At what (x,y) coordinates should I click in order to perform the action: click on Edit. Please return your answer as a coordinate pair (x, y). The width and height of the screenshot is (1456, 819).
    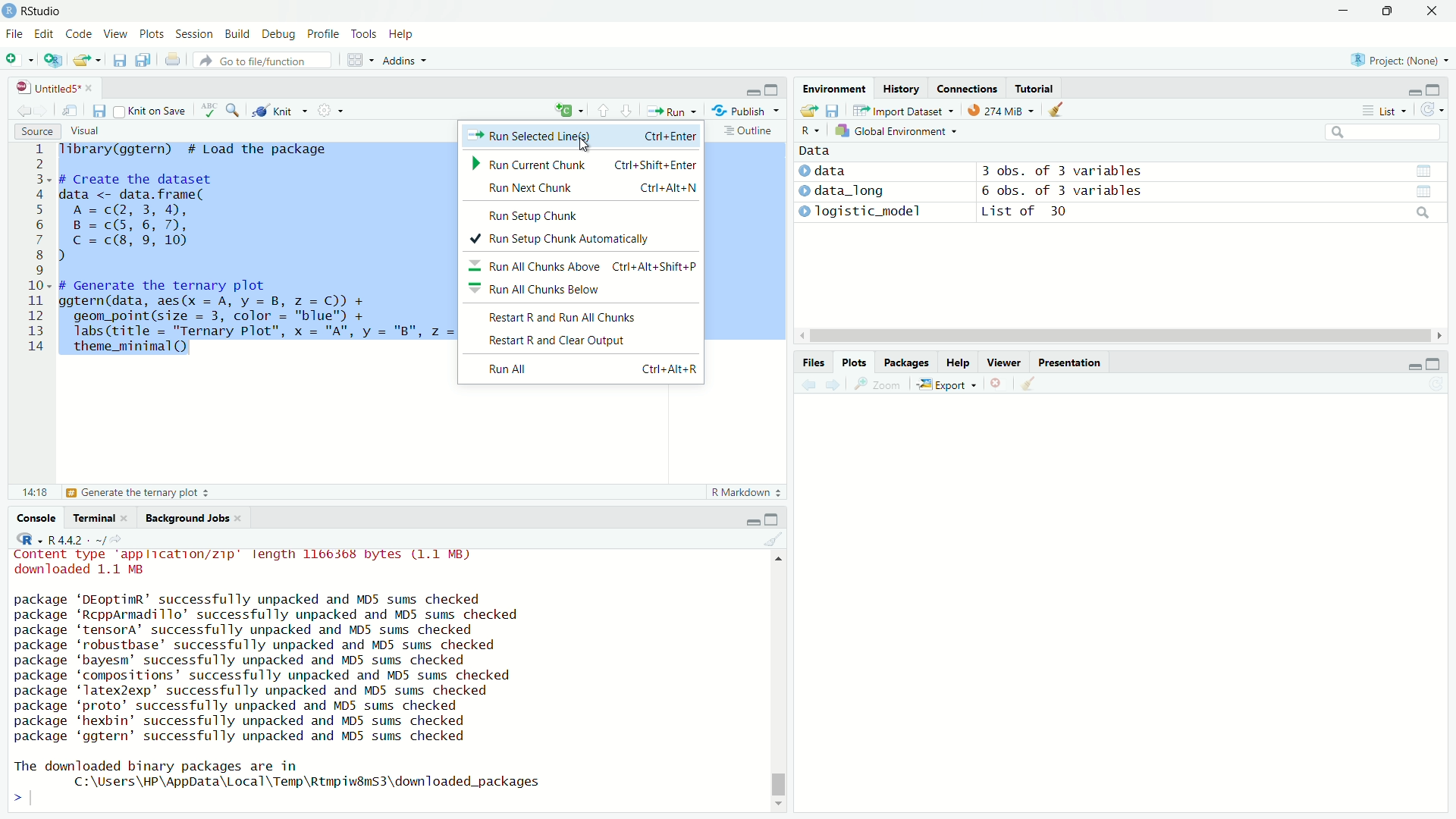
    Looking at the image, I should click on (45, 33).